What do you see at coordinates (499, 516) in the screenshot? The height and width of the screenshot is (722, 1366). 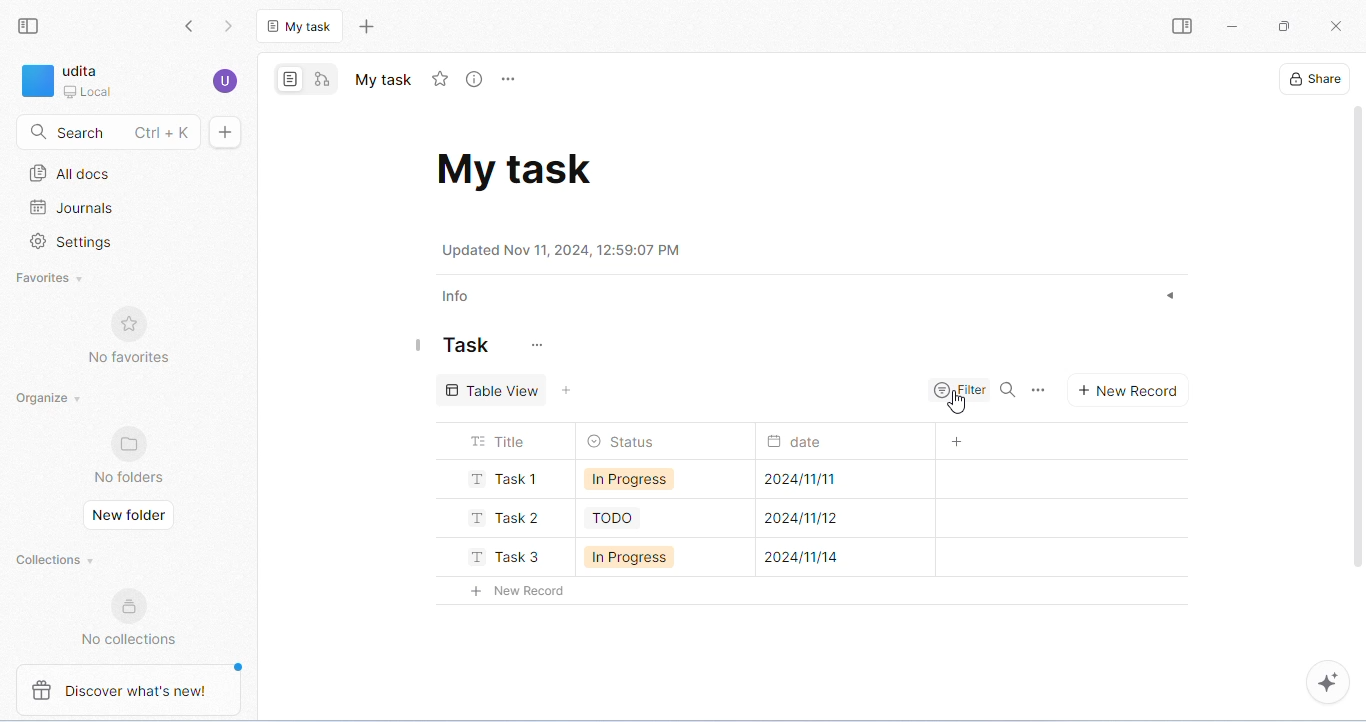 I see `task2` at bounding box center [499, 516].